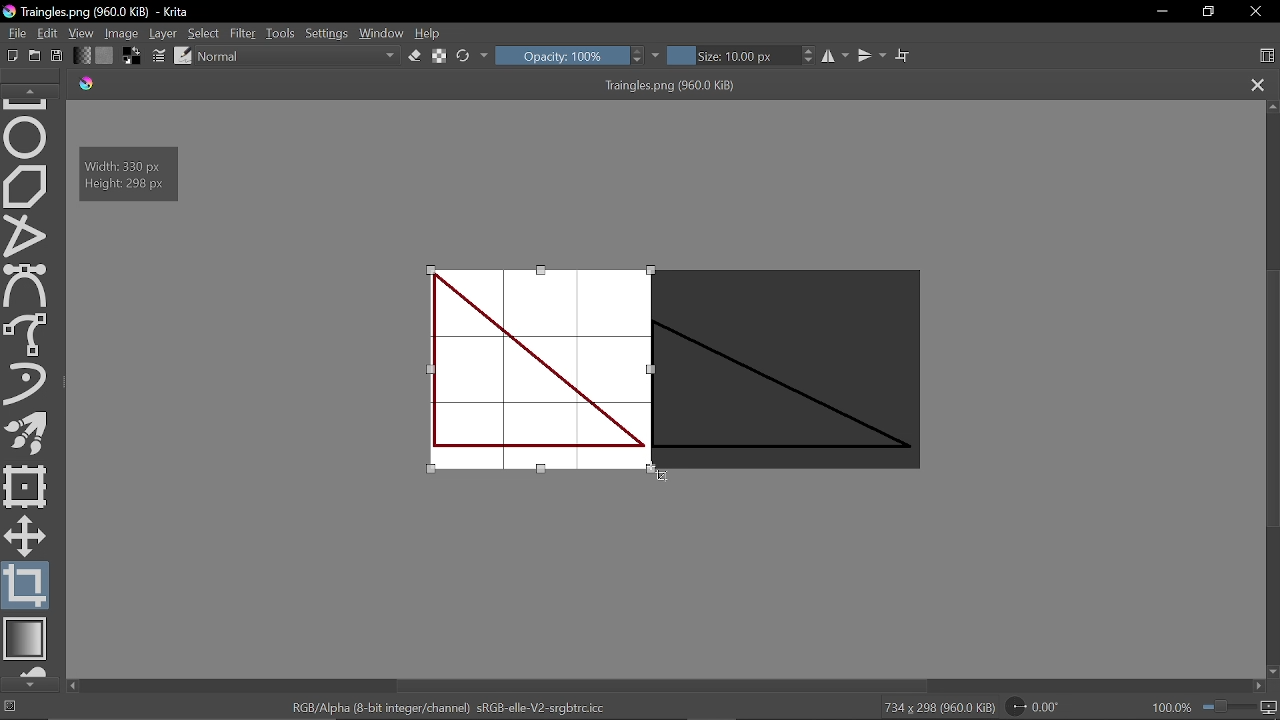 The image size is (1280, 720). I want to click on Settings, so click(327, 34).